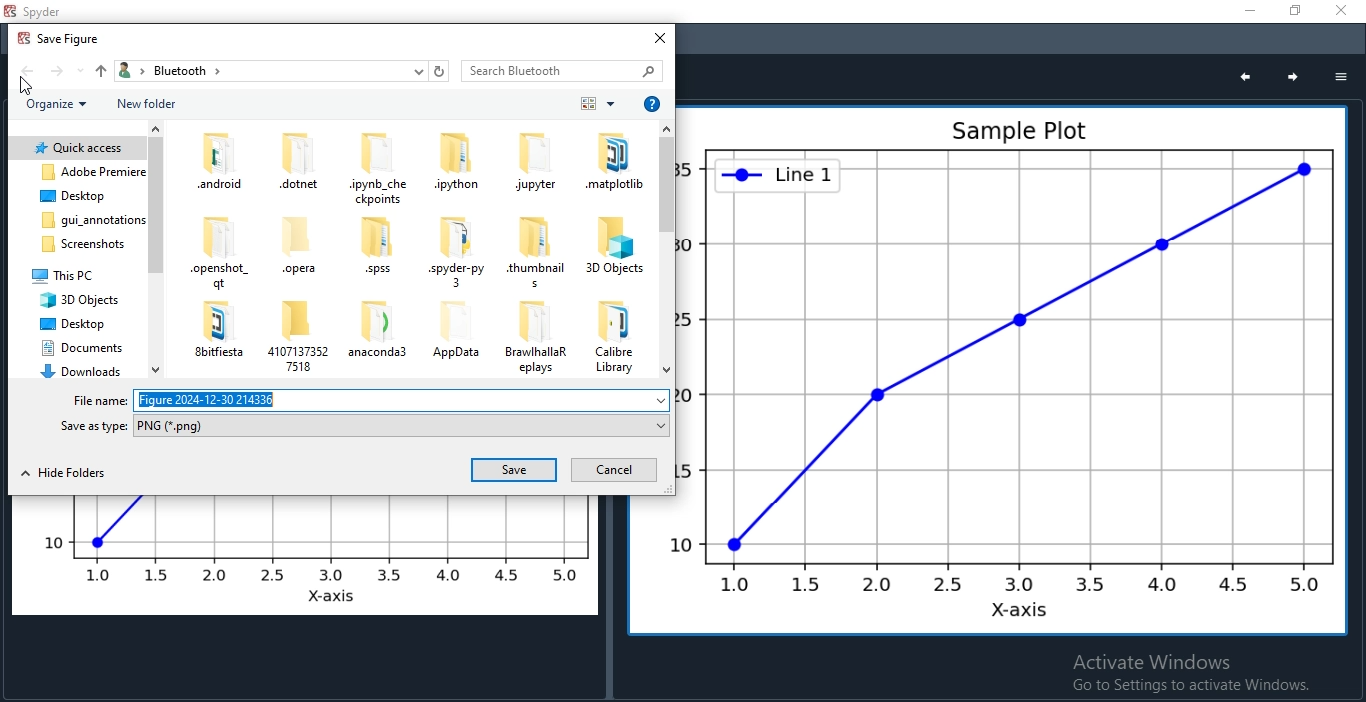 This screenshot has height=702, width=1366. Describe the element at coordinates (1342, 11) in the screenshot. I see `Close` at that location.